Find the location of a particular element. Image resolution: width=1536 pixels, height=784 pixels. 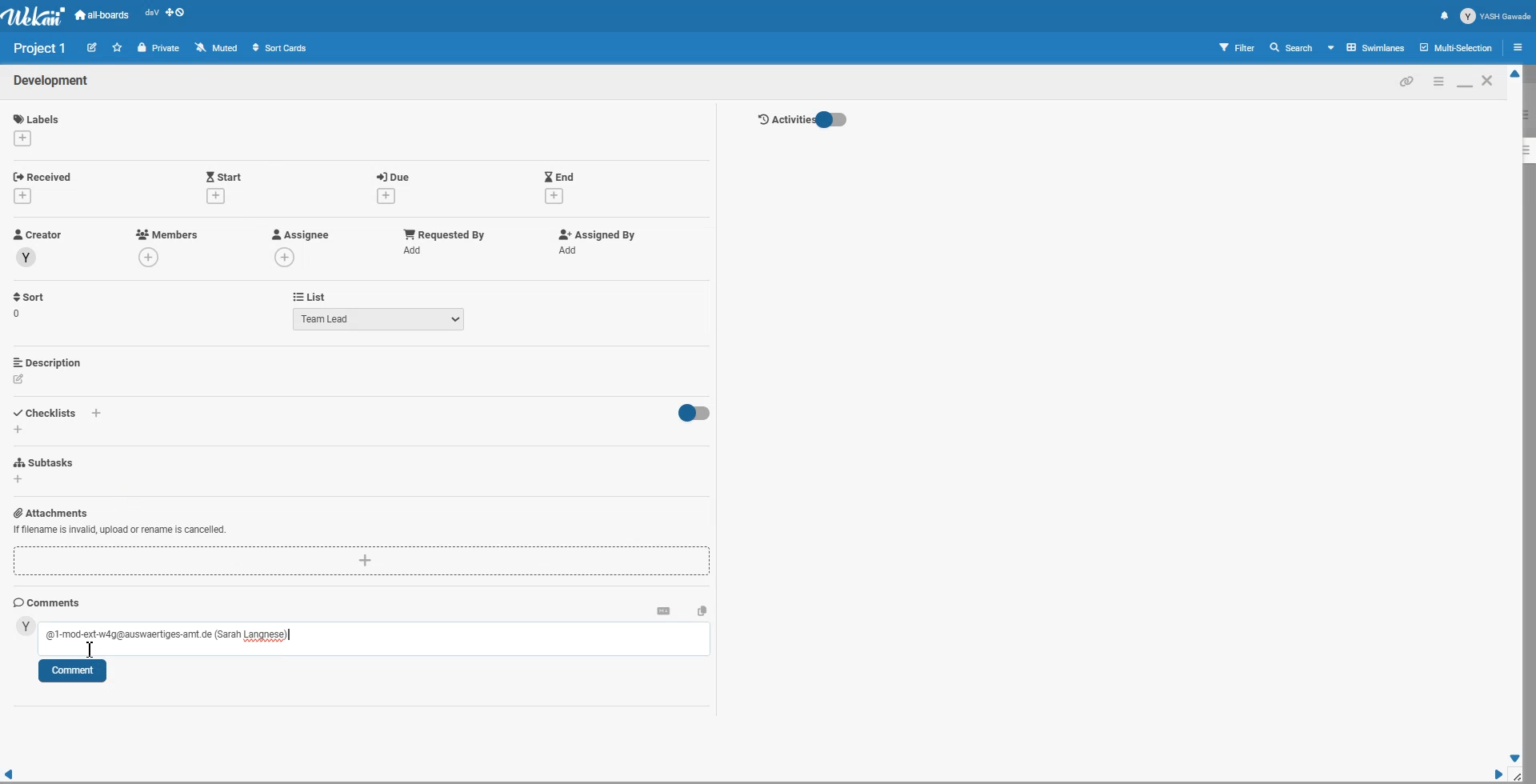

Copy text to clipboard is located at coordinates (702, 610).